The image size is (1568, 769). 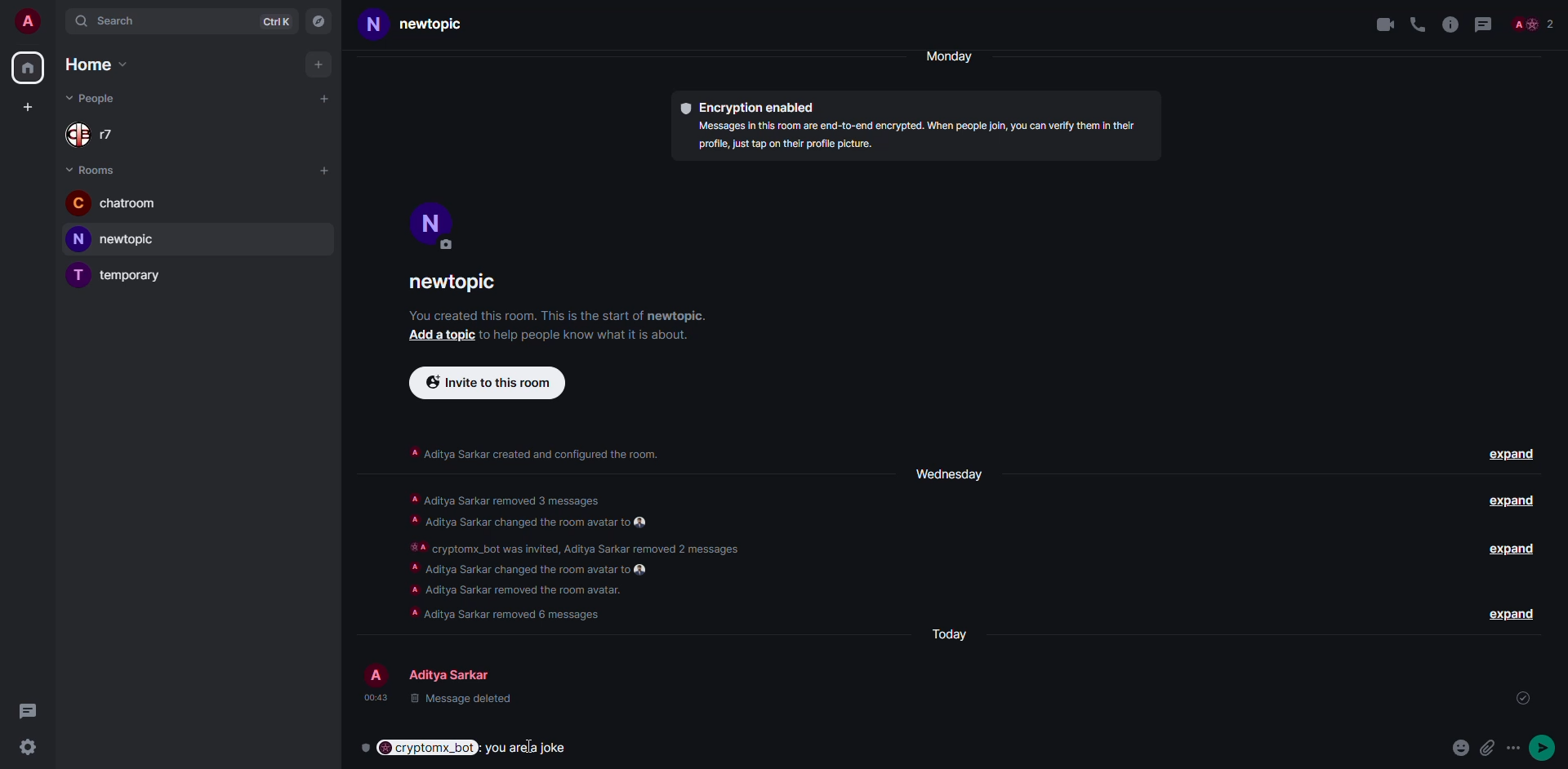 I want to click on Aditya Sarkar, so click(x=439, y=671).